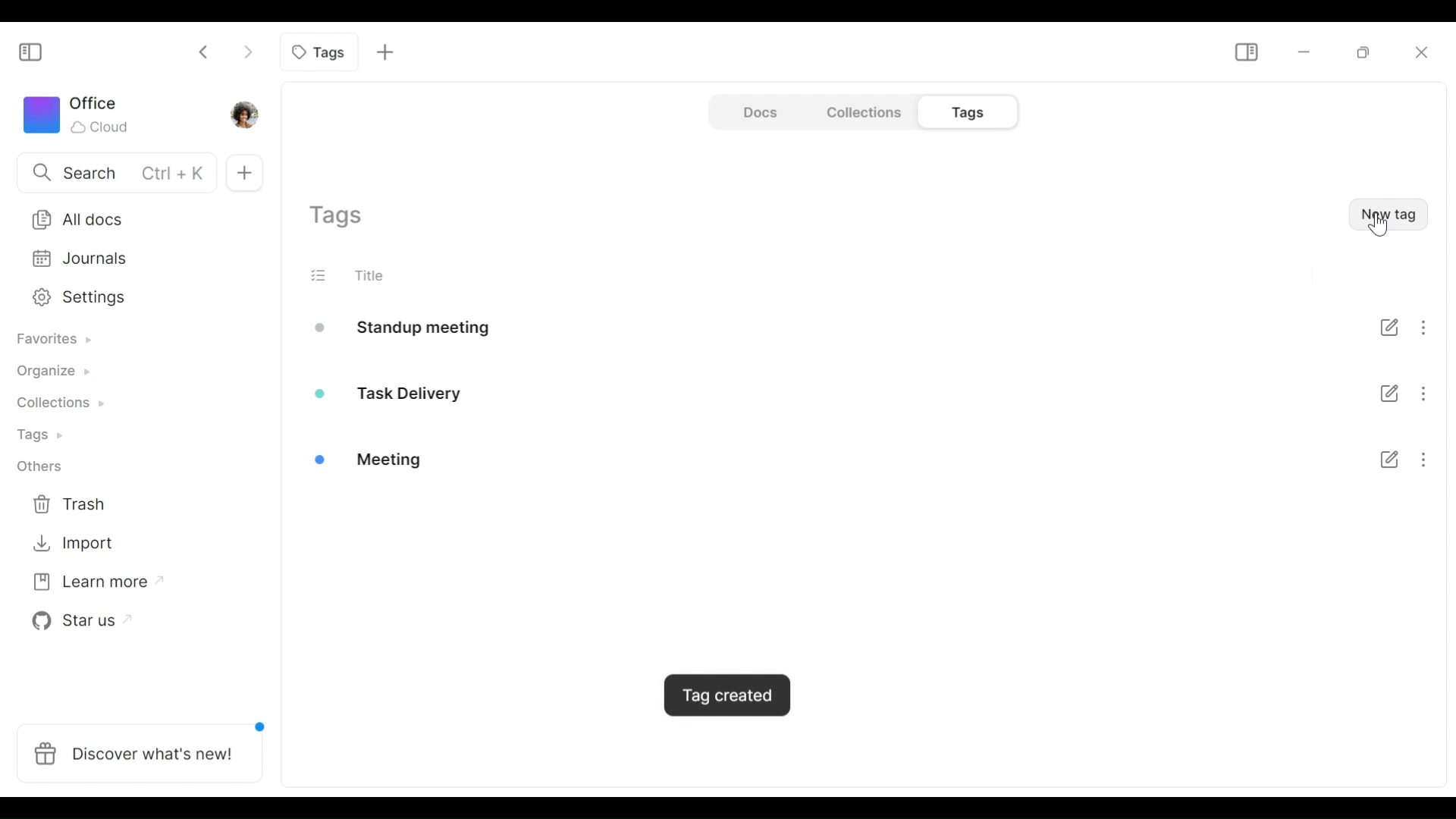 This screenshot has height=819, width=1456. What do you see at coordinates (1386, 213) in the screenshot?
I see `New Tag` at bounding box center [1386, 213].